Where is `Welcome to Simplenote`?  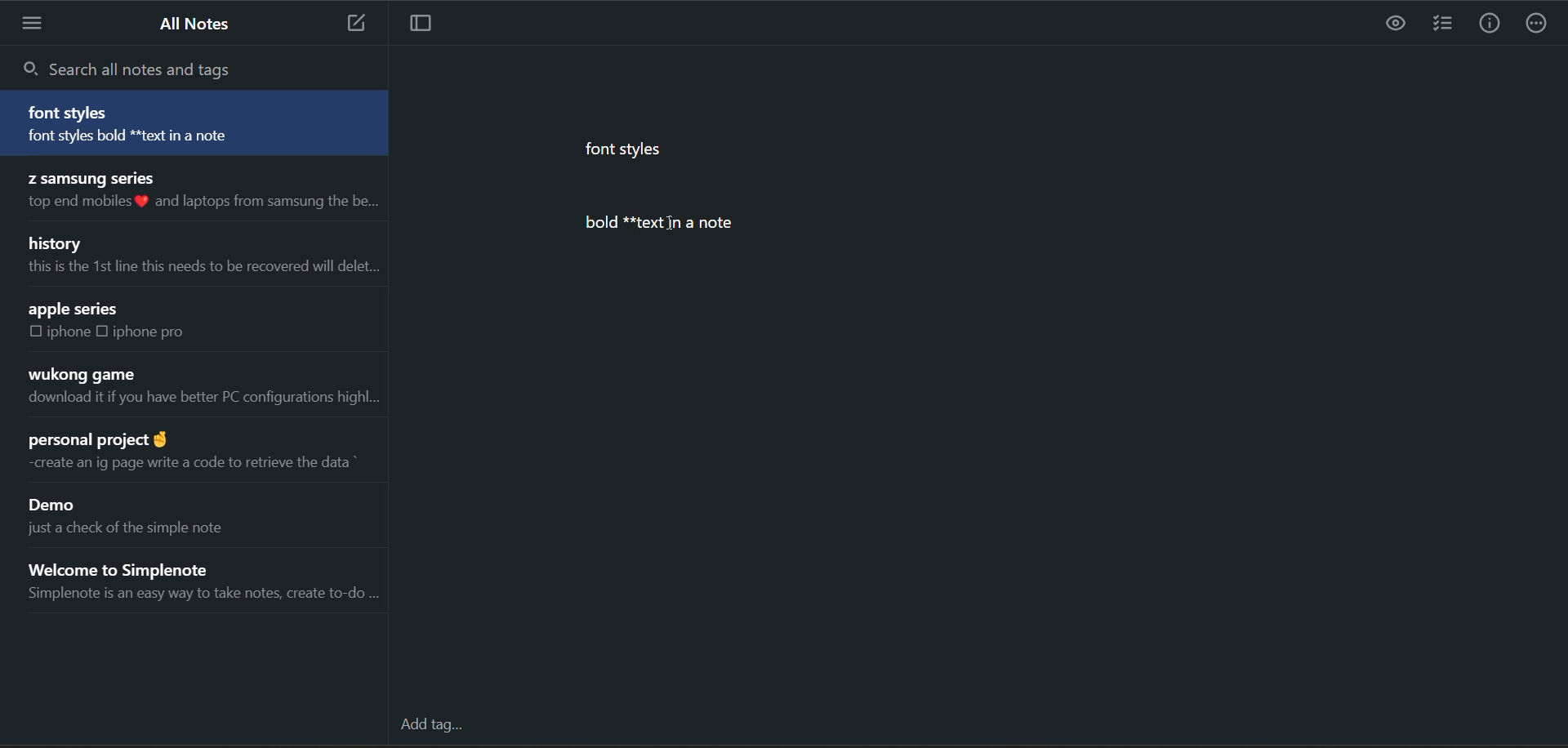 Welcome to Simplenote is located at coordinates (143, 566).